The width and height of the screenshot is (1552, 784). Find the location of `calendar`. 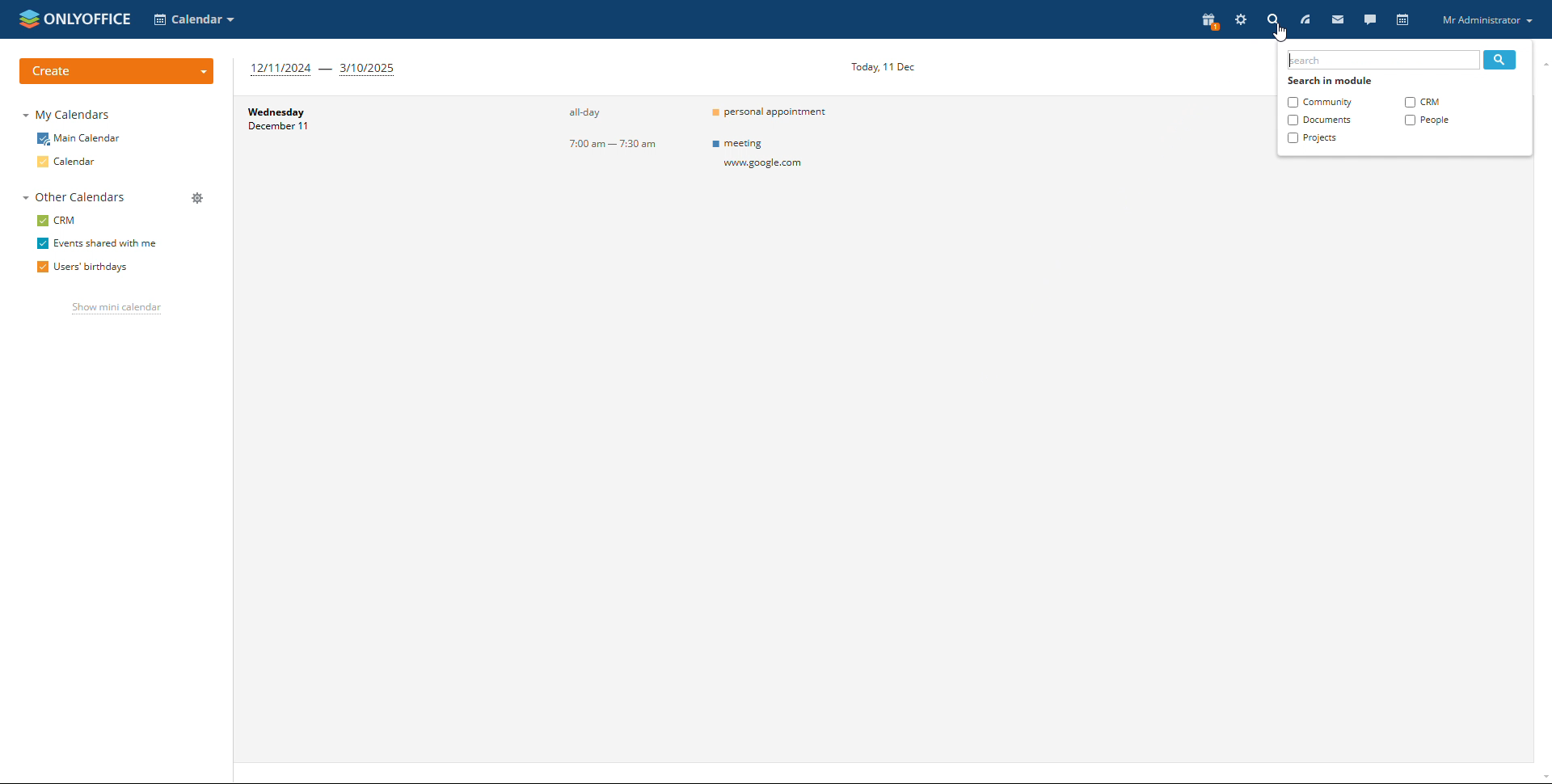

calendar is located at coordinates (1402, 20).